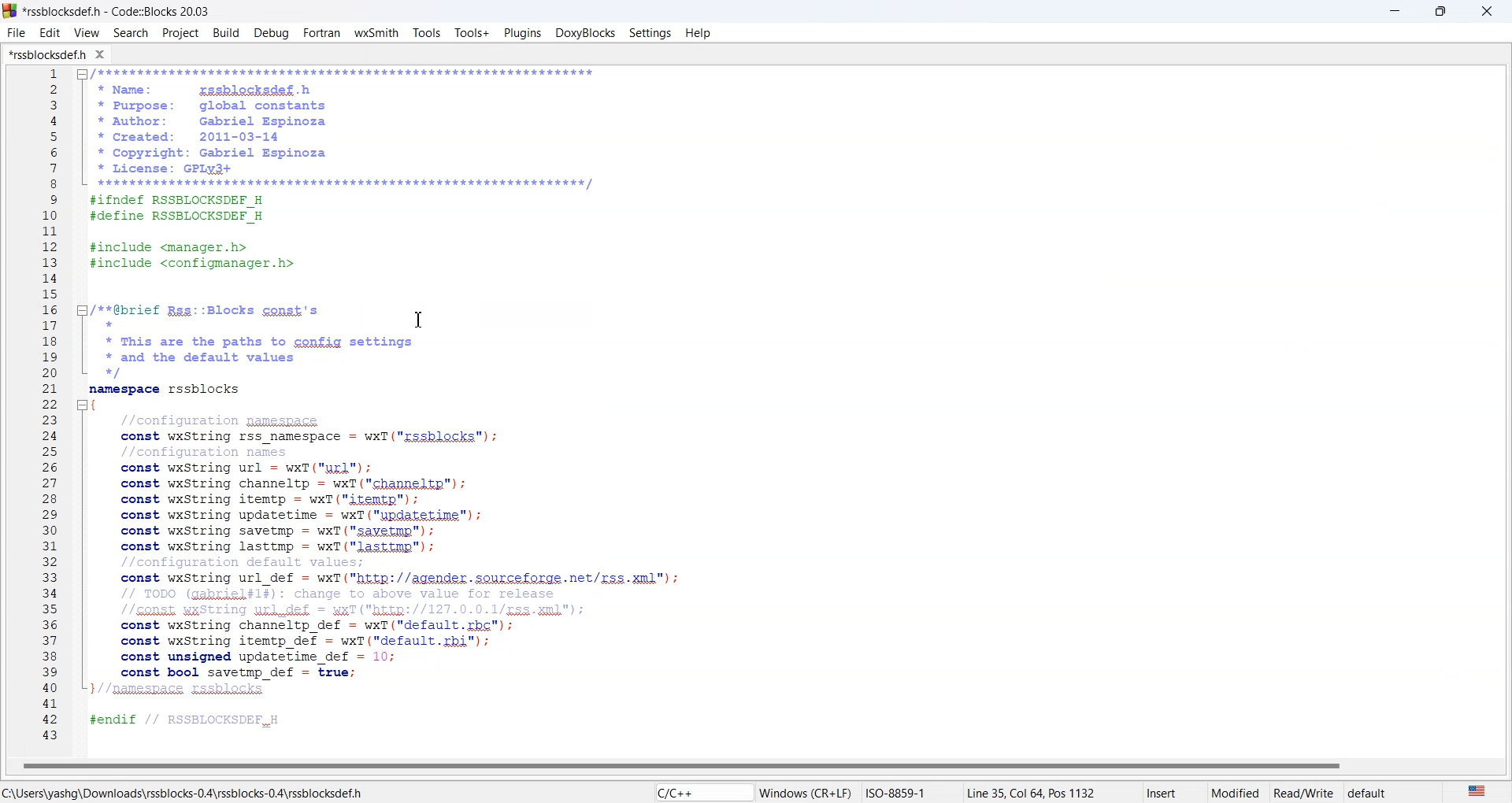 Image resolution: width=1512 pixels, height=803 pixels. What do you see at coordinates (86, 405) in the screenshot?
I see `minimize` at bounding box center [86, 405].